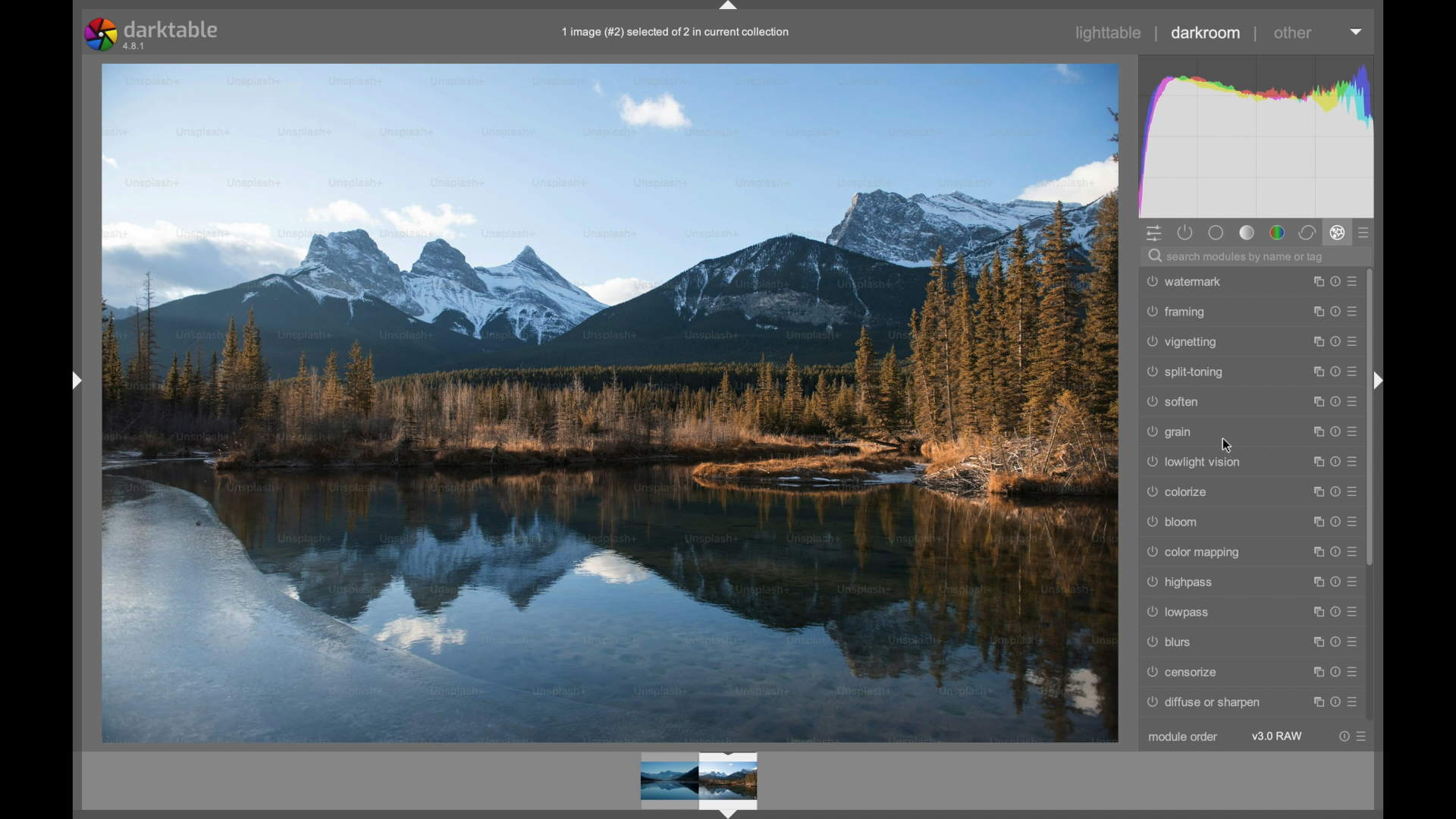 Image resolution: width=1456 pixels, height=819 pixels. Describe the element at coordinates (1356, 672) in the screenshot. I see `presets` at that location.